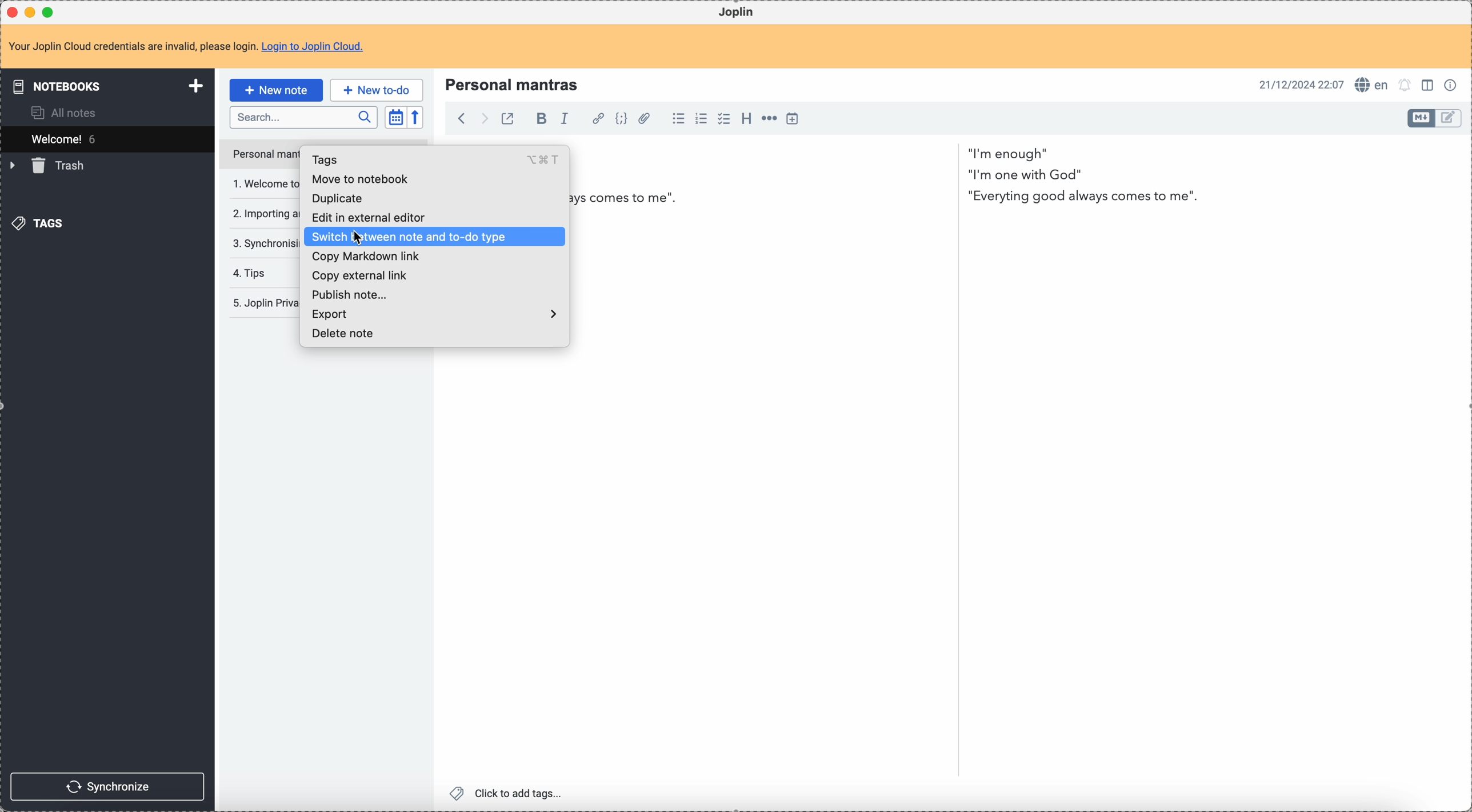 The height and width of the screenshot is (812, 1472). I want to click on date and hour, so click(1300, 85).